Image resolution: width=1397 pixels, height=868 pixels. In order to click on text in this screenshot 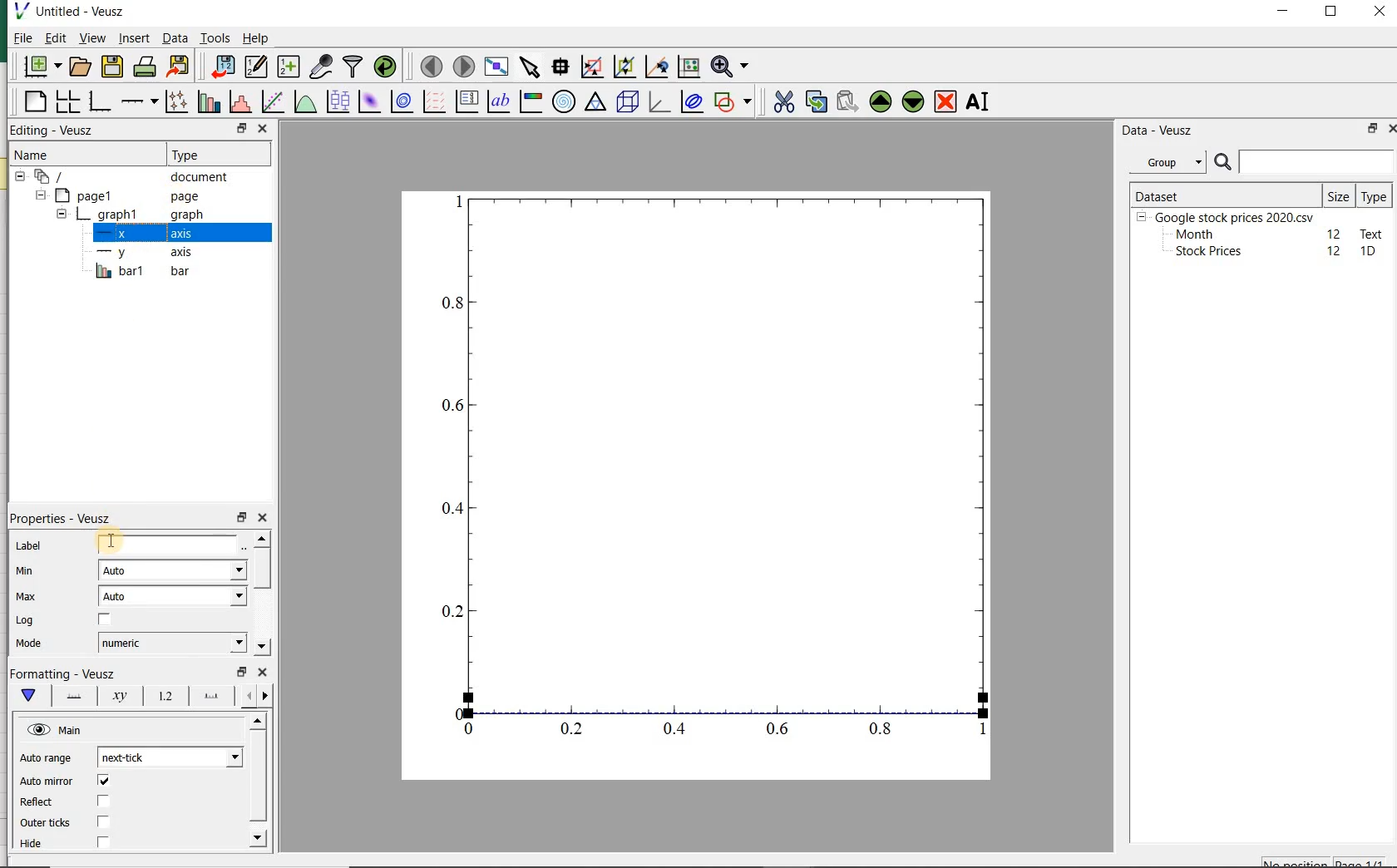, I will do `click(1369, 233)`.